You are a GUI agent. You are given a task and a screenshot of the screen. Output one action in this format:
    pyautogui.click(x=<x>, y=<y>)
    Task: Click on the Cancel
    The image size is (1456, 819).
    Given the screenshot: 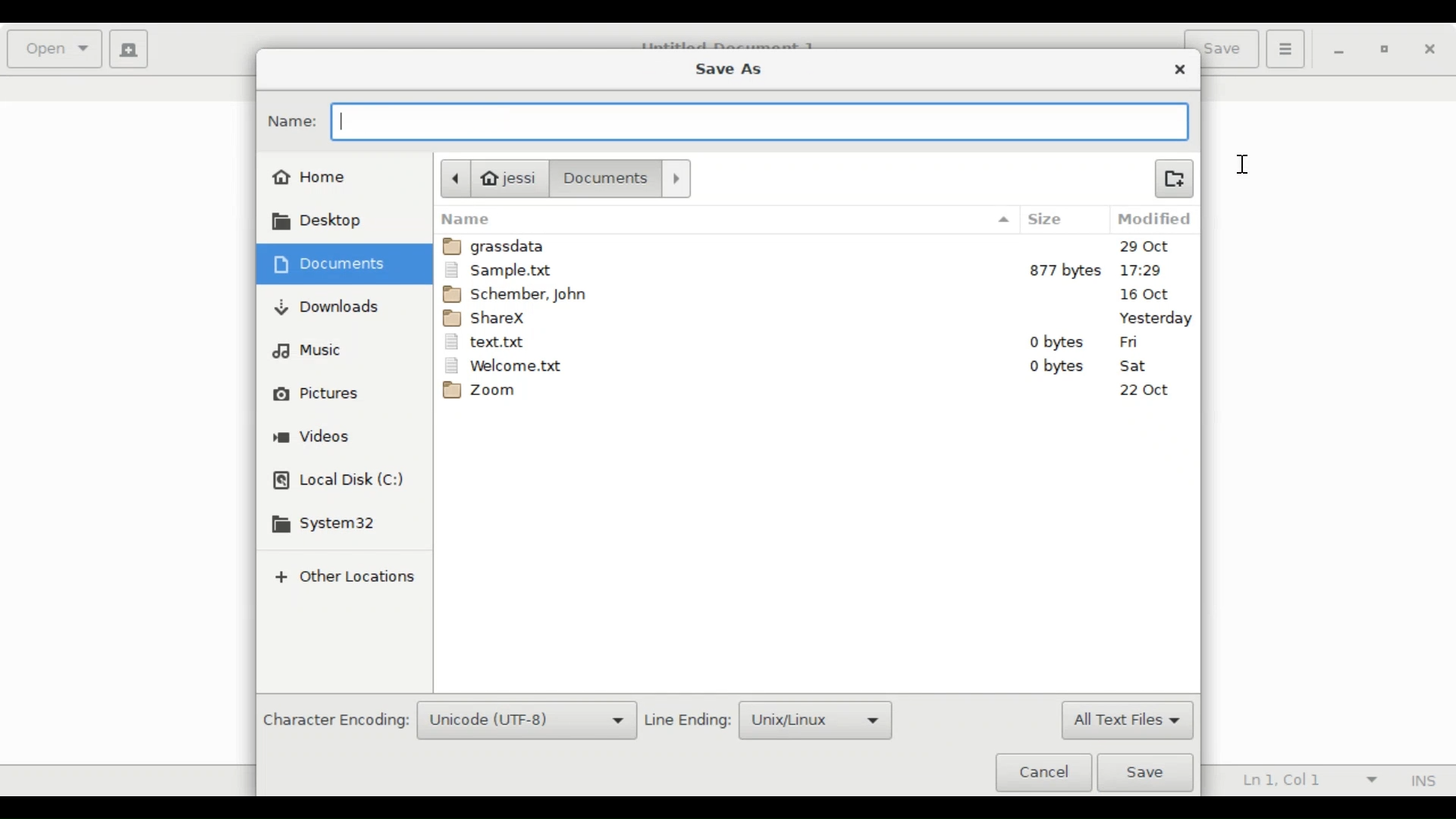 What is the action you would take?
    pyautogui.click(x=1043, y=771)
    